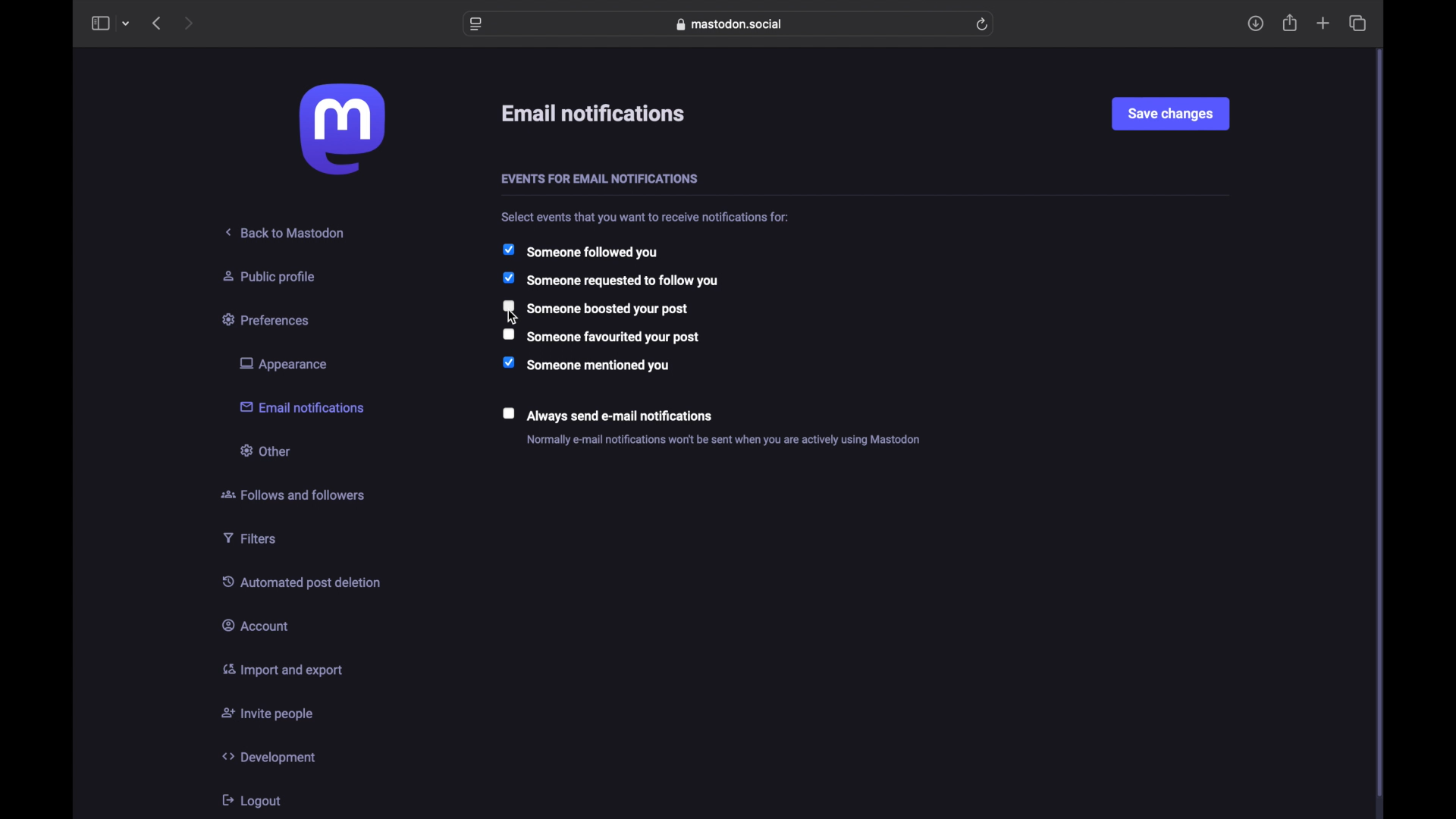  What do you see at coordinates (607, 414) in the screenshot?
I see `checkbox` at bounding box center [607, 414].